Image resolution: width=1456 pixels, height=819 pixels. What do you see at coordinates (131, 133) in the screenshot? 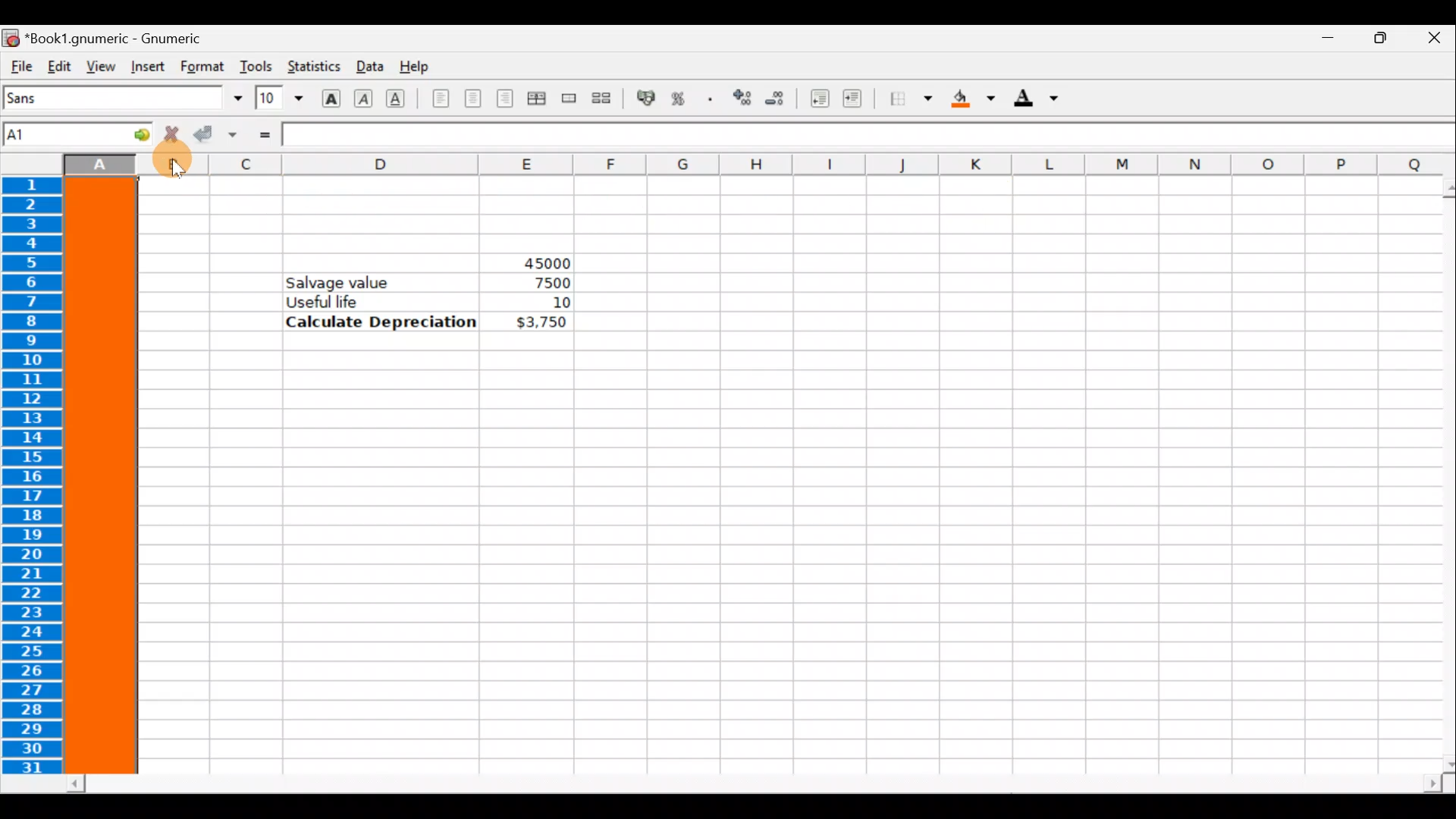
I see `Go to` at bounding box center [131, 133].